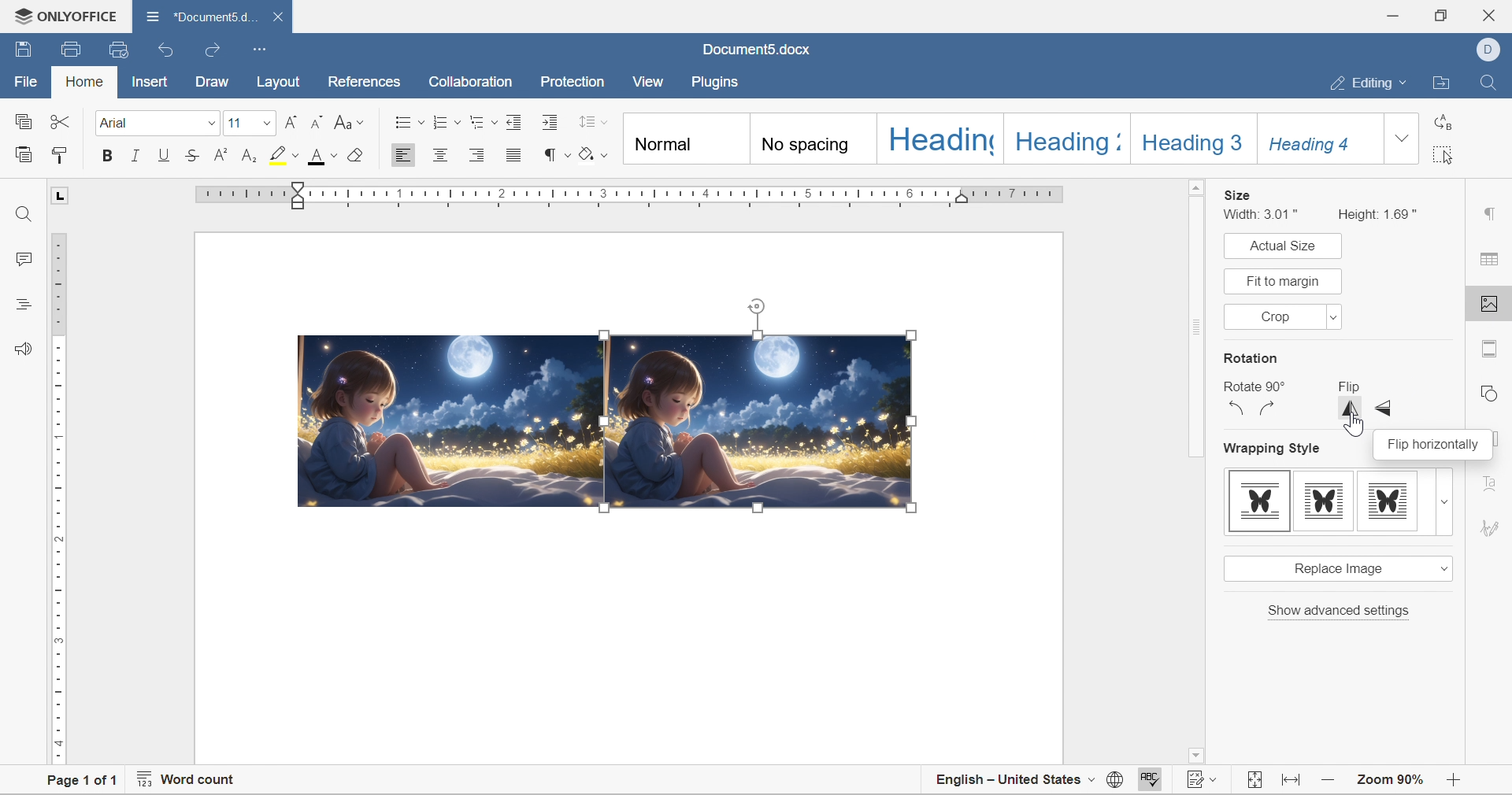 This screenshot has height=795, width=1512. I want to click on flip vertically, so click(1351, 409).